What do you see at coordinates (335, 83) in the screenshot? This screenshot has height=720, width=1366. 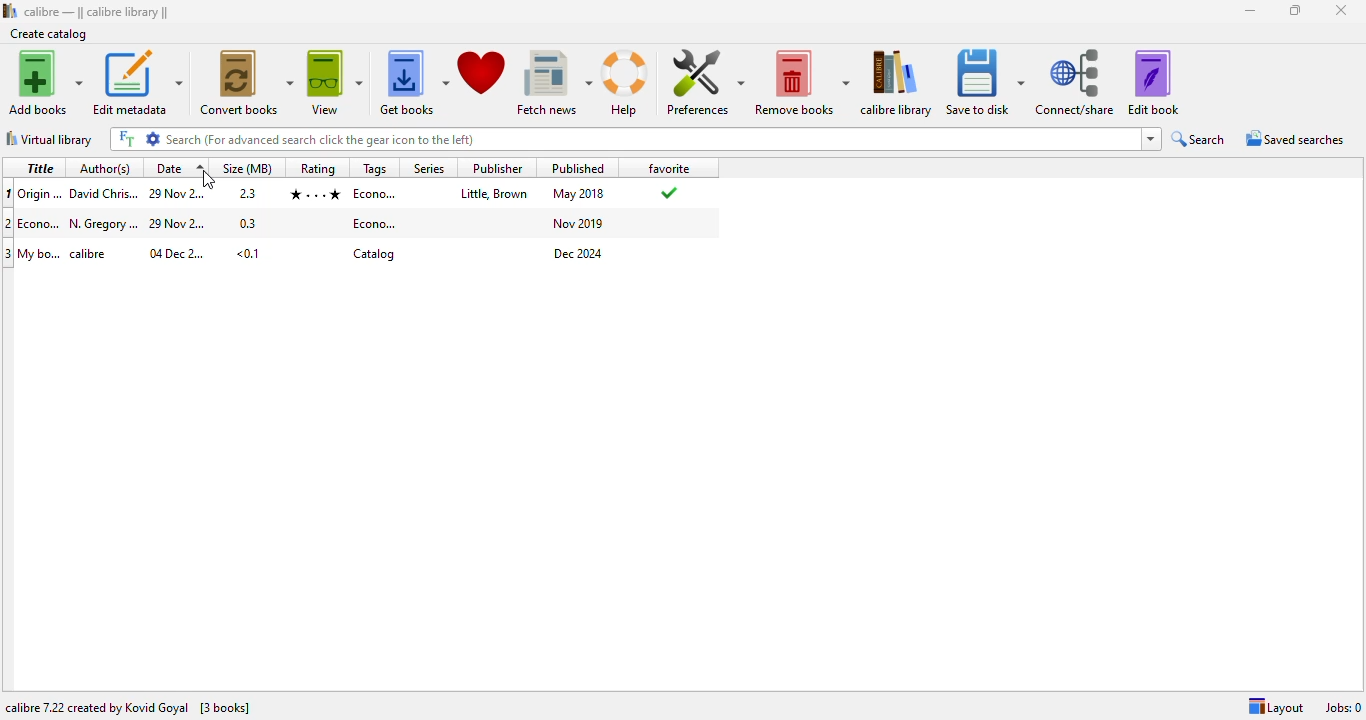 I see `view` at bounding box center [335, 83].